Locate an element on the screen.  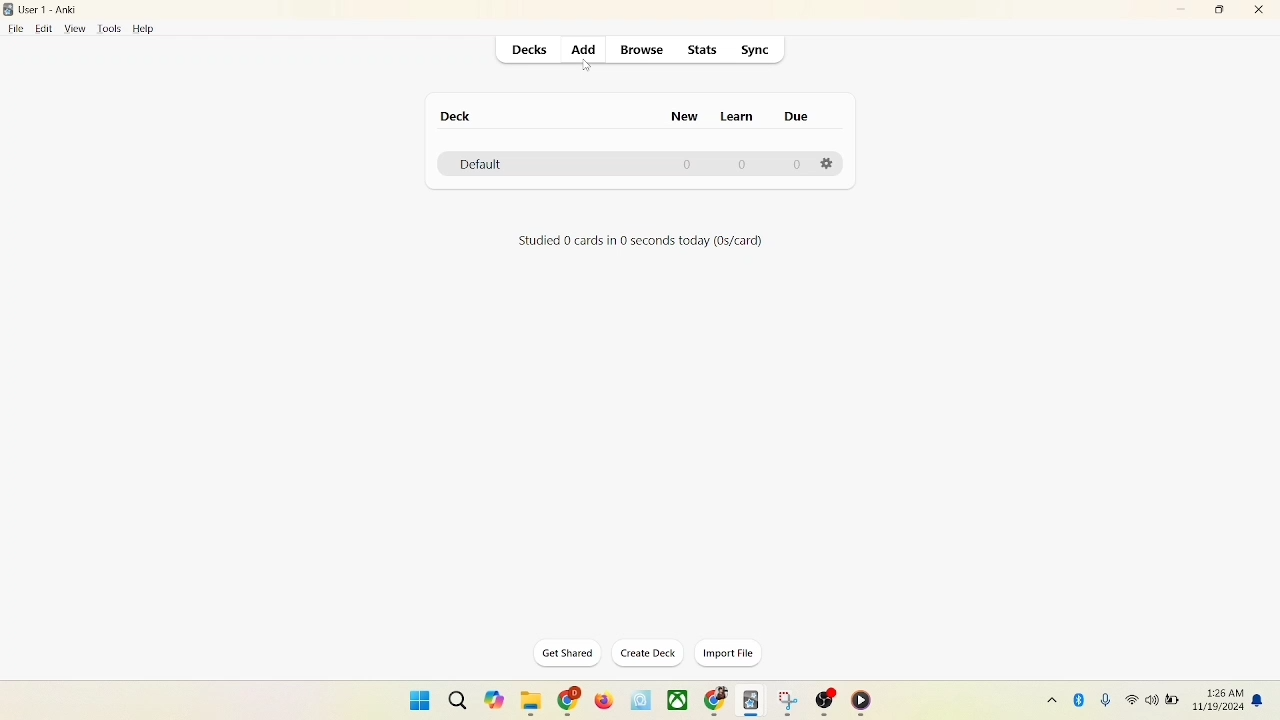
User1-Anki is located at coordinates (52, 10).